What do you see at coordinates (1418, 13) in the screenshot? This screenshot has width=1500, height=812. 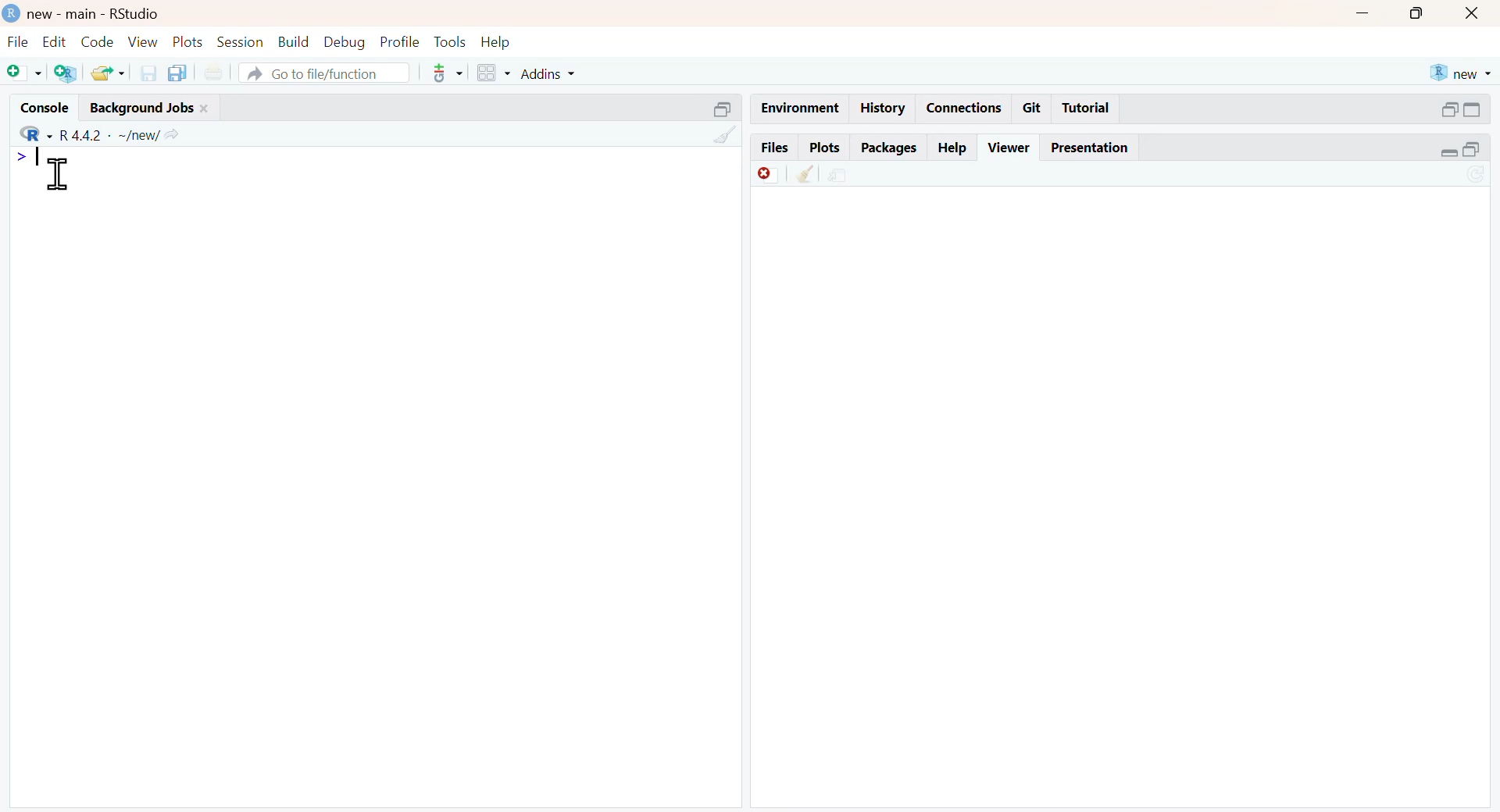 I see `maximize` at bounding box center [1418, 13].